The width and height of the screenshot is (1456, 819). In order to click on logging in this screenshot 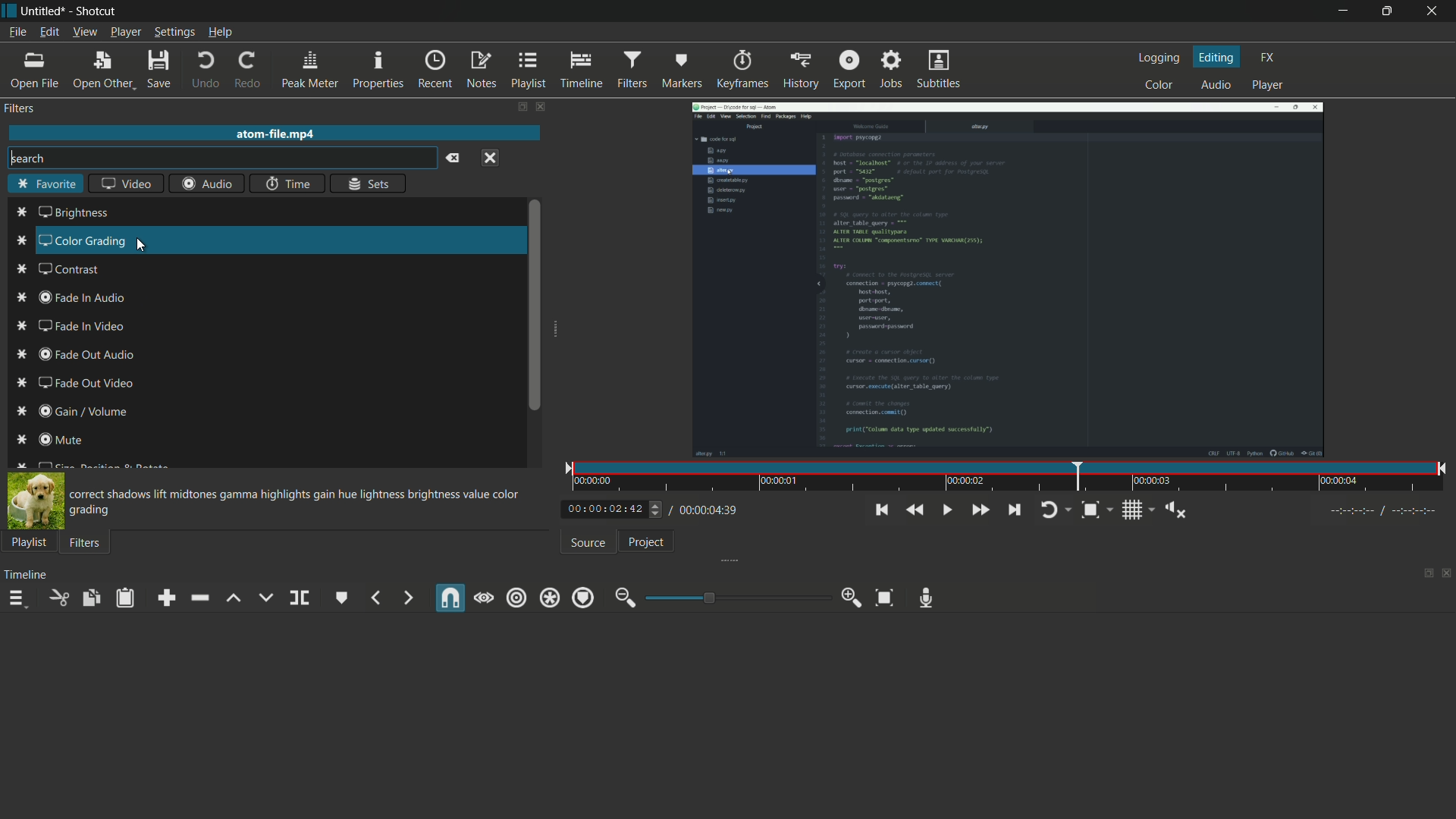, I will do `click(1159, 60)`.